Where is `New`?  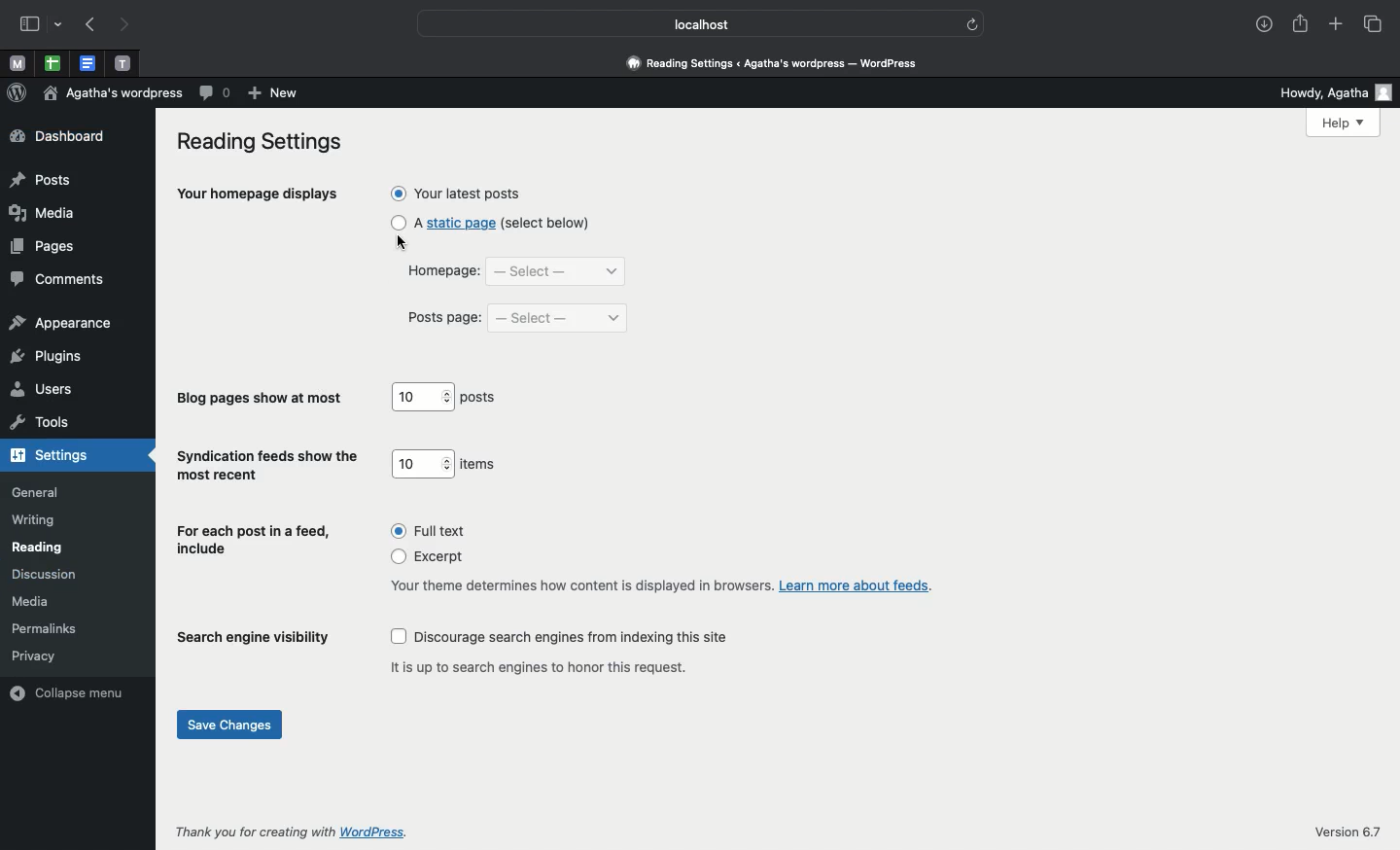 New is located at coordinates (276, 94).